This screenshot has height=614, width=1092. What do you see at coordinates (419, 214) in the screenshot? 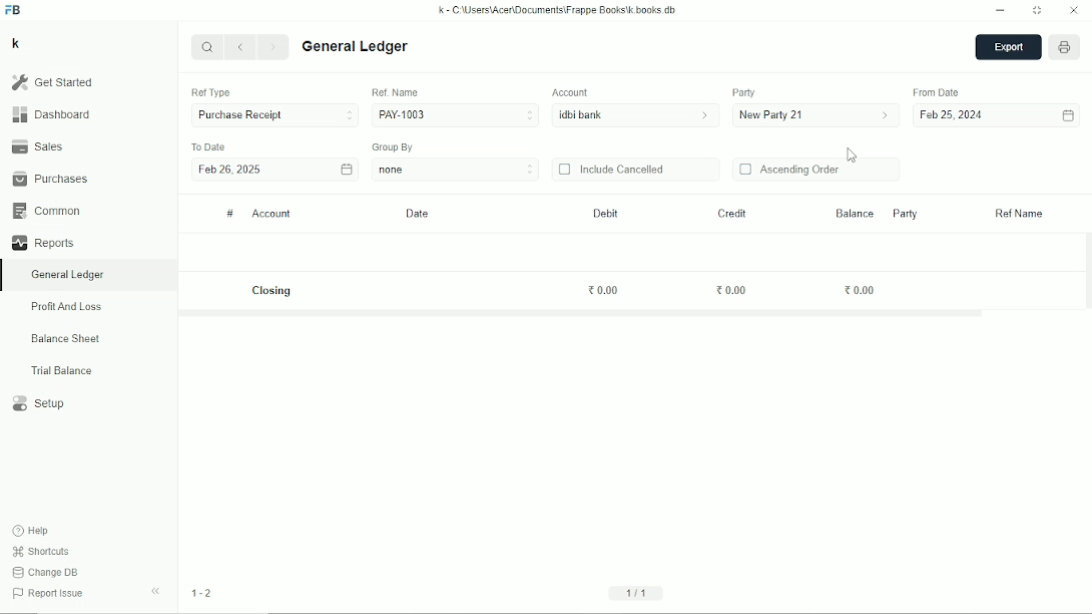
I see `Date` at bounding box center [419, 214].